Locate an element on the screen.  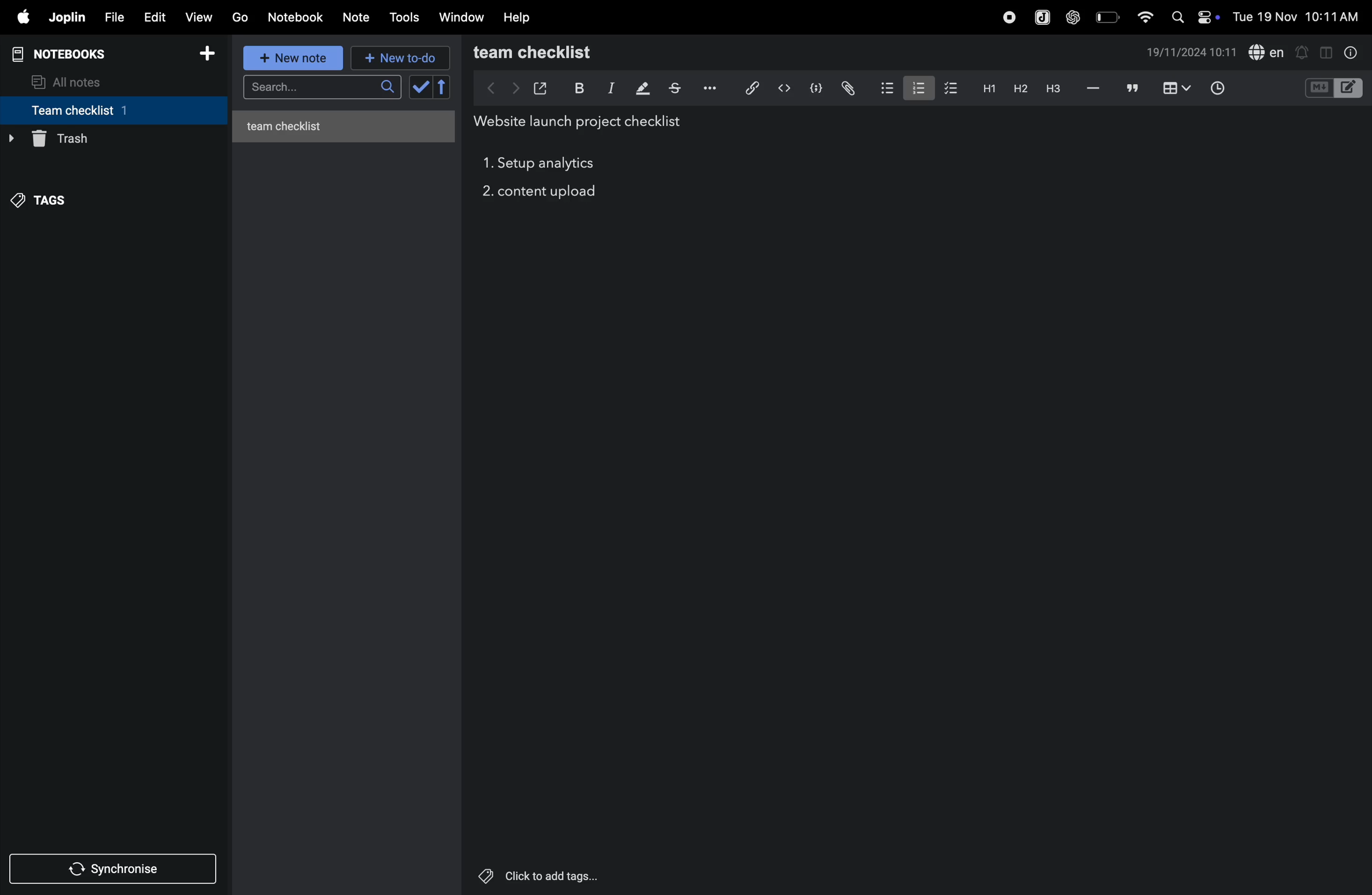
content upload is located at coordinates (552, 192).